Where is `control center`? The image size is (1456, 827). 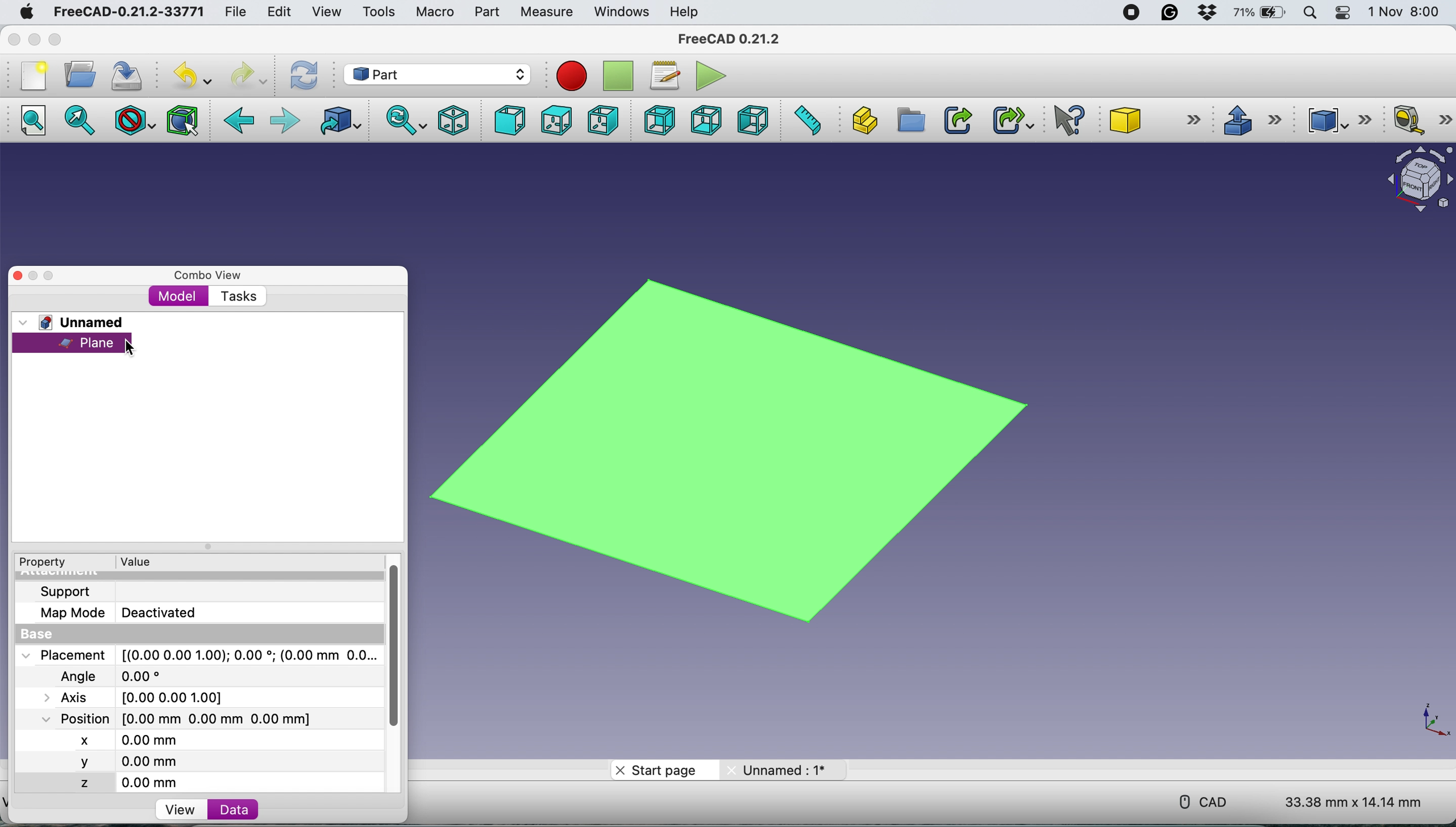 control center is located at coordinates (1346, 14).